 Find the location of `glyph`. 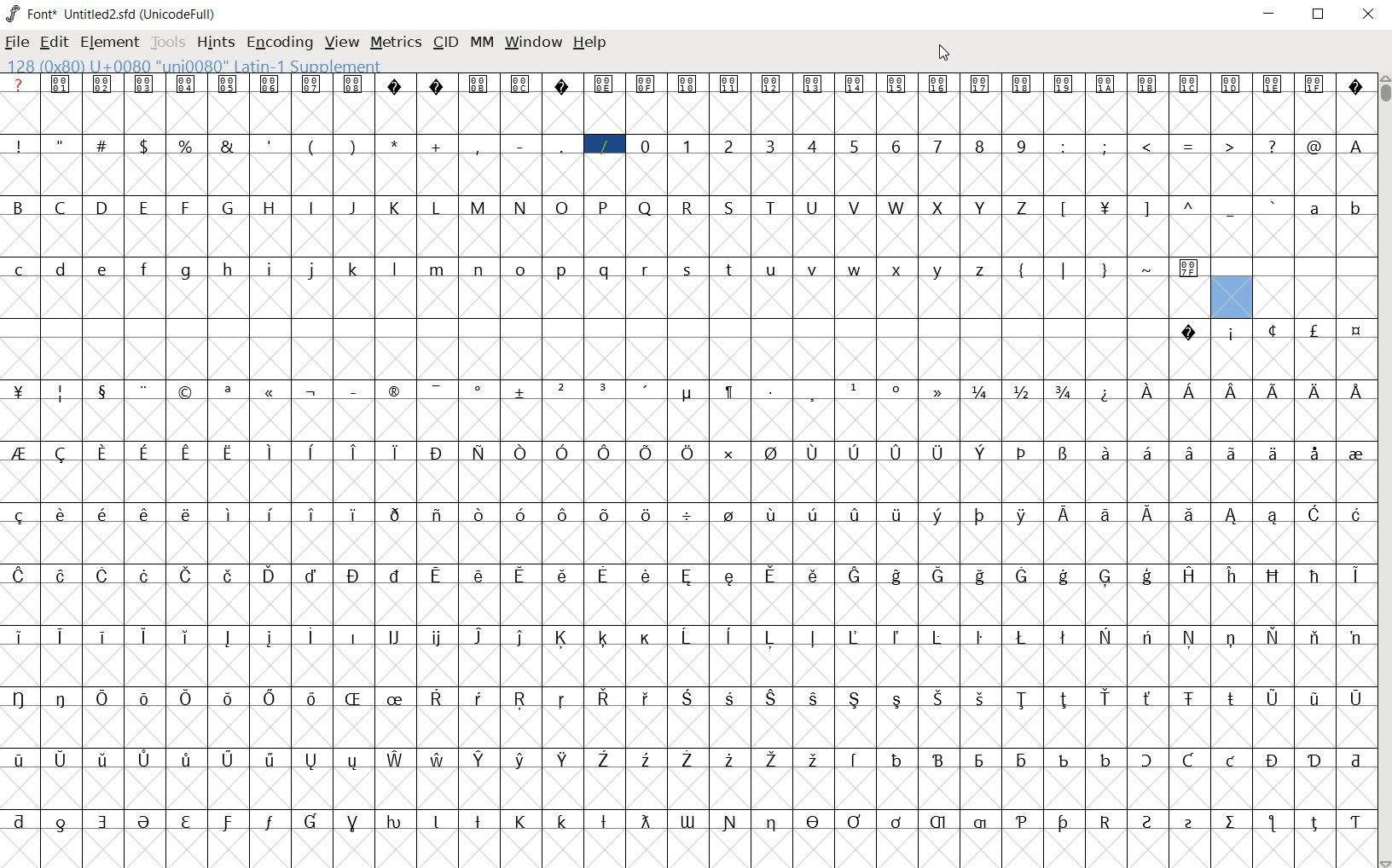

glyph is located at coordinates (561, 453).